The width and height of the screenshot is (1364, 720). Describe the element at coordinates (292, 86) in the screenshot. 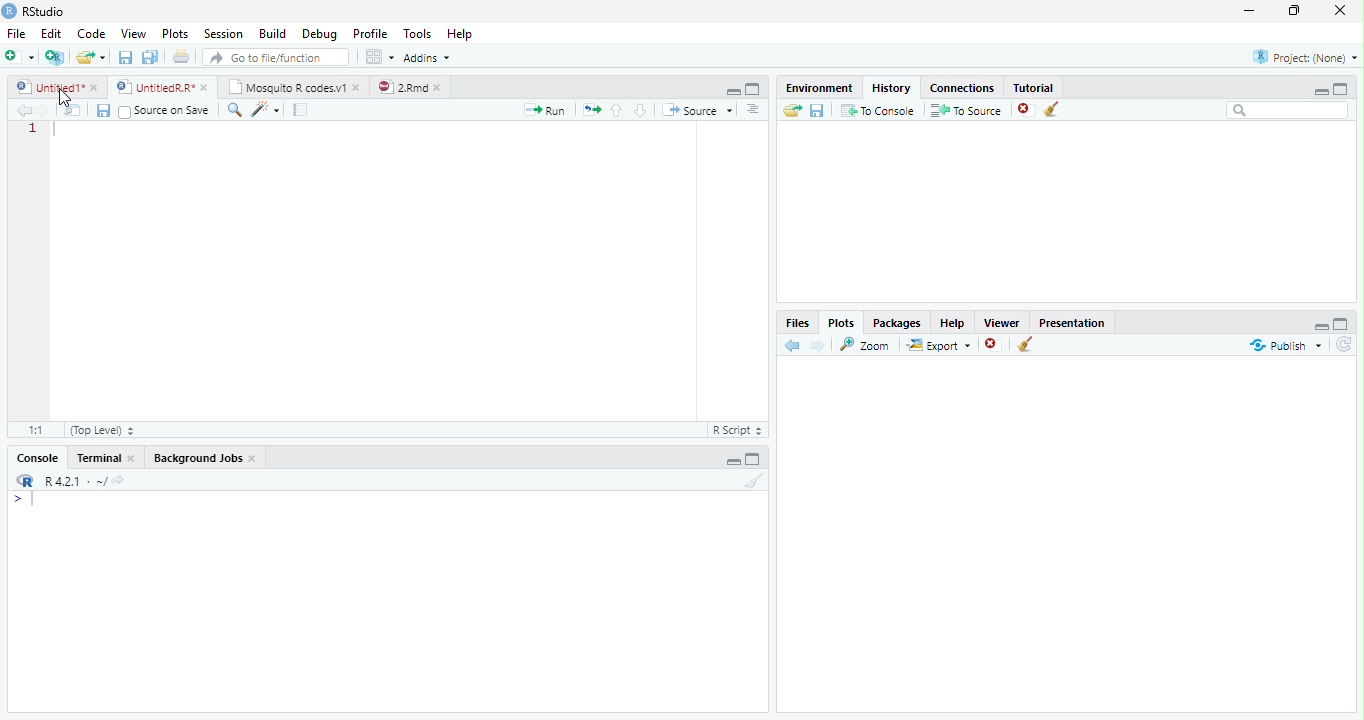

I see `Mosquito R codes.v1` at that location.